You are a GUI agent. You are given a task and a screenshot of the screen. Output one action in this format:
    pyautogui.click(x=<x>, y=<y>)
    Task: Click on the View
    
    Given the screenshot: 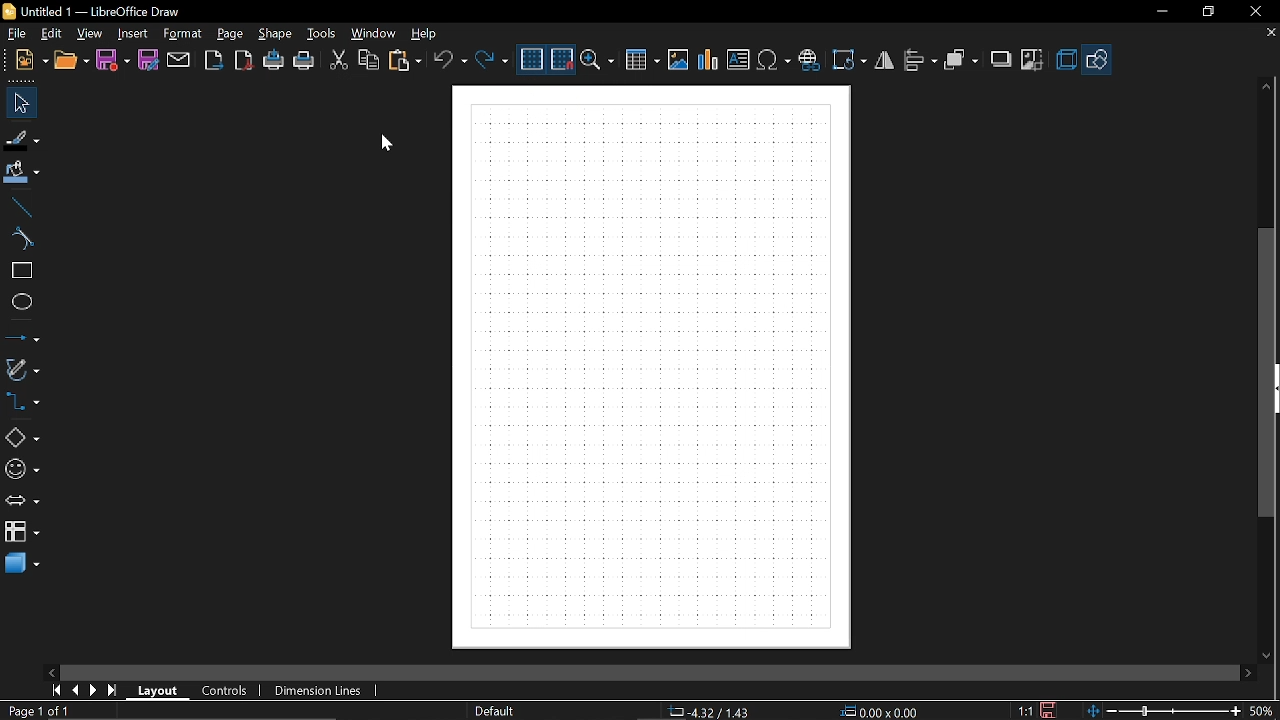 What is the action you would take?
    pyautogui.click(x=86, y=34)
    